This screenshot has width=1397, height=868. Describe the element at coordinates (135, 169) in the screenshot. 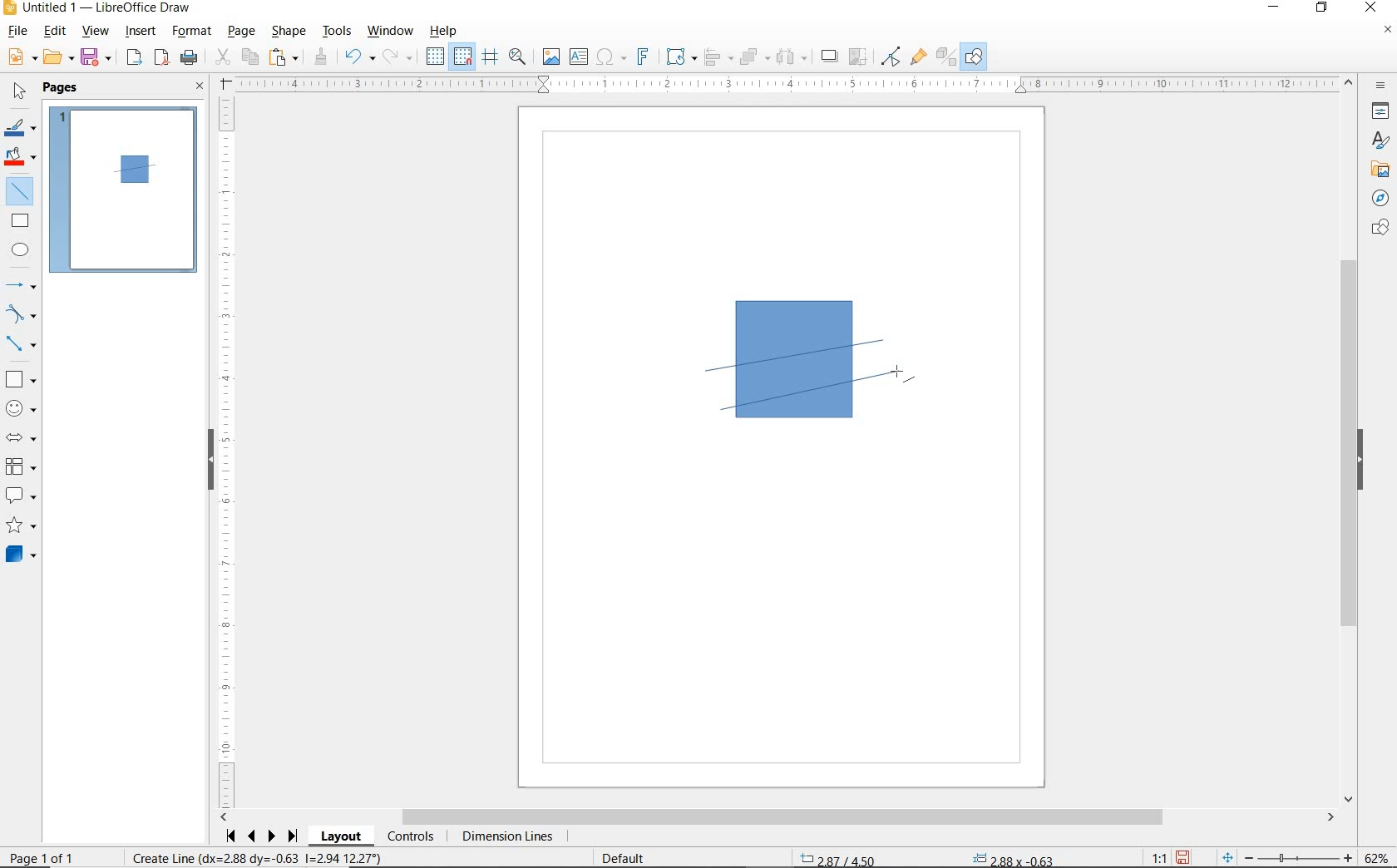

I see `LINE ADDED` at that location.